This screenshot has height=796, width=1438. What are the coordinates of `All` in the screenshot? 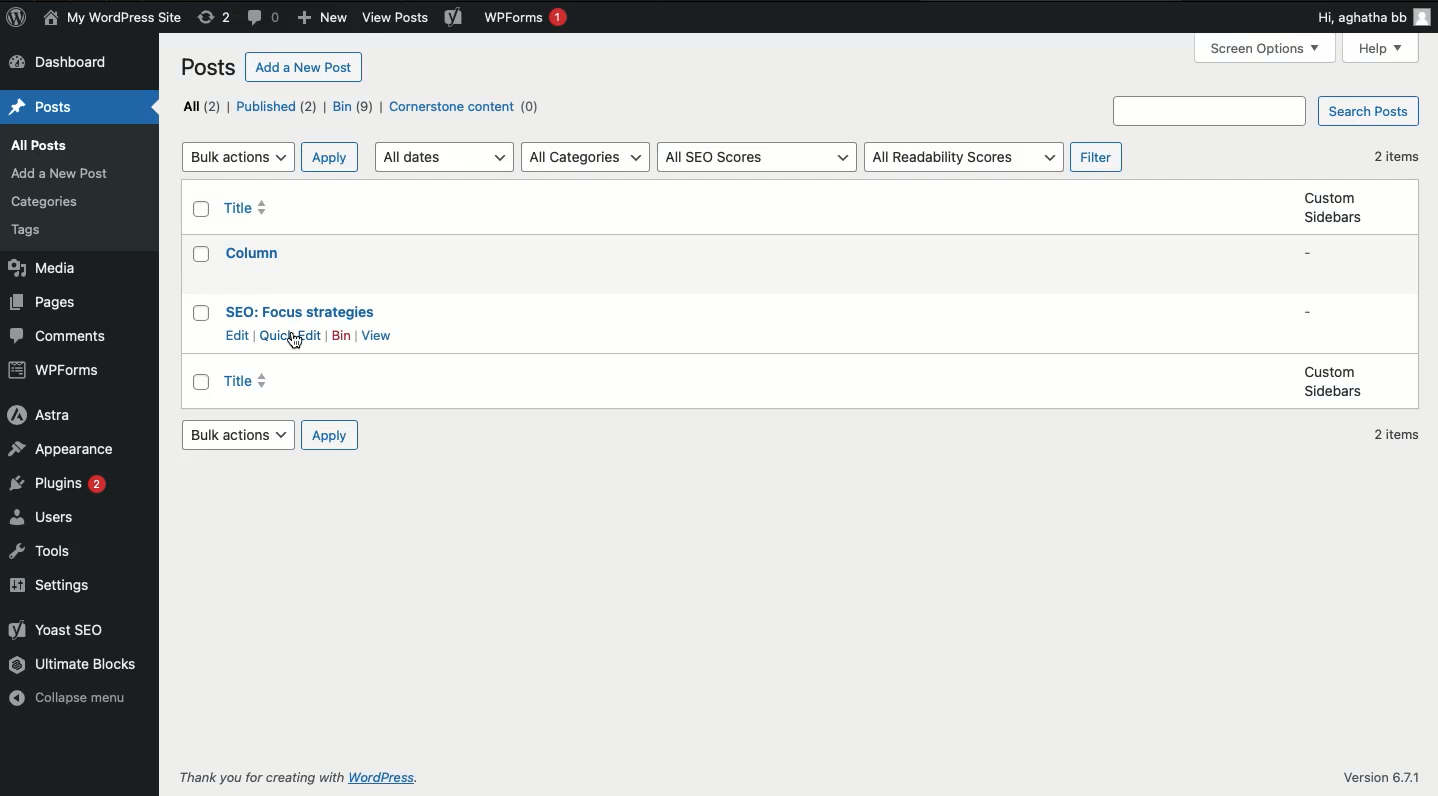 It's located at (202, 106).